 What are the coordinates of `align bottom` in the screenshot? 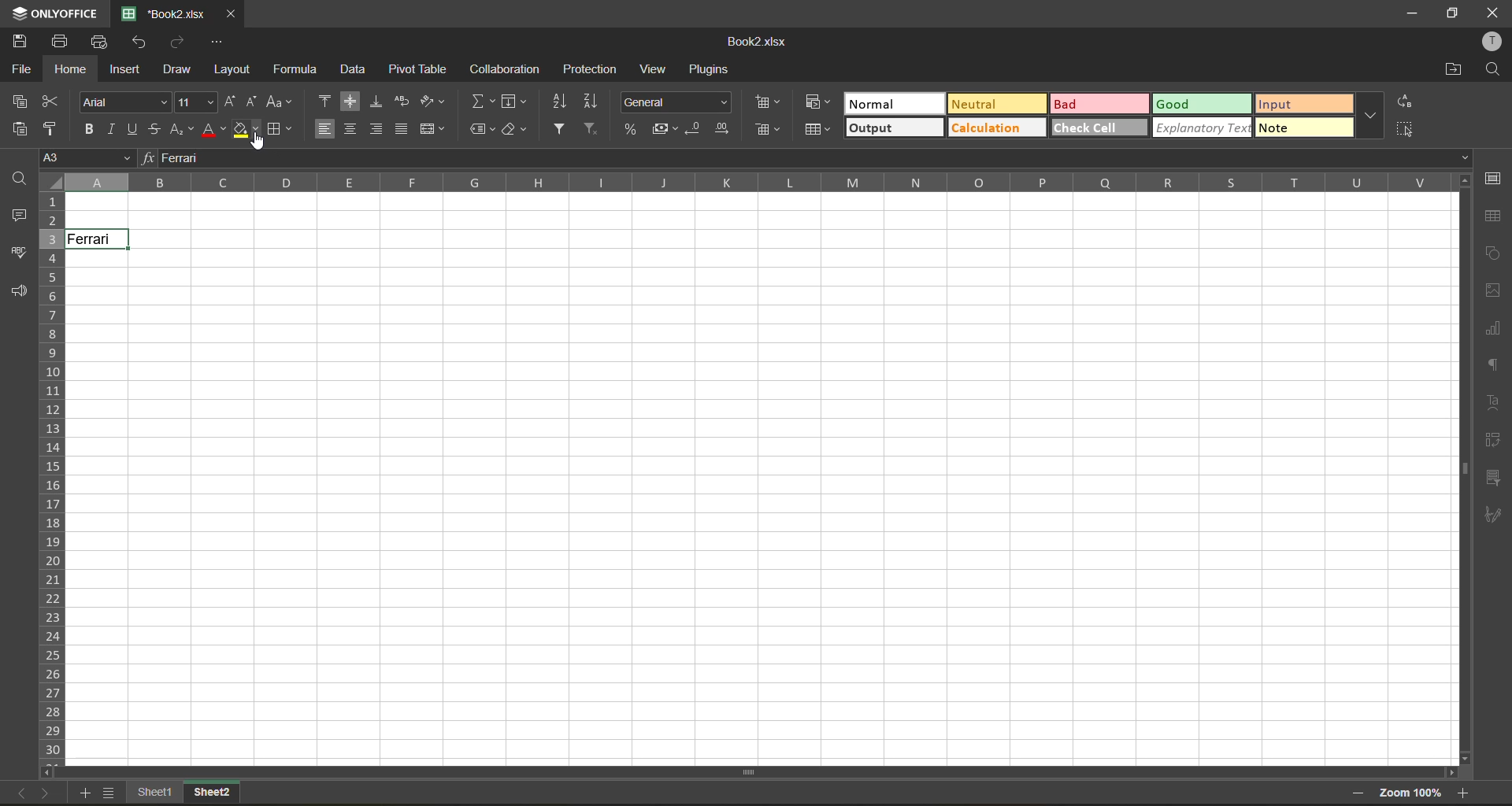 It's located at (377, 102).